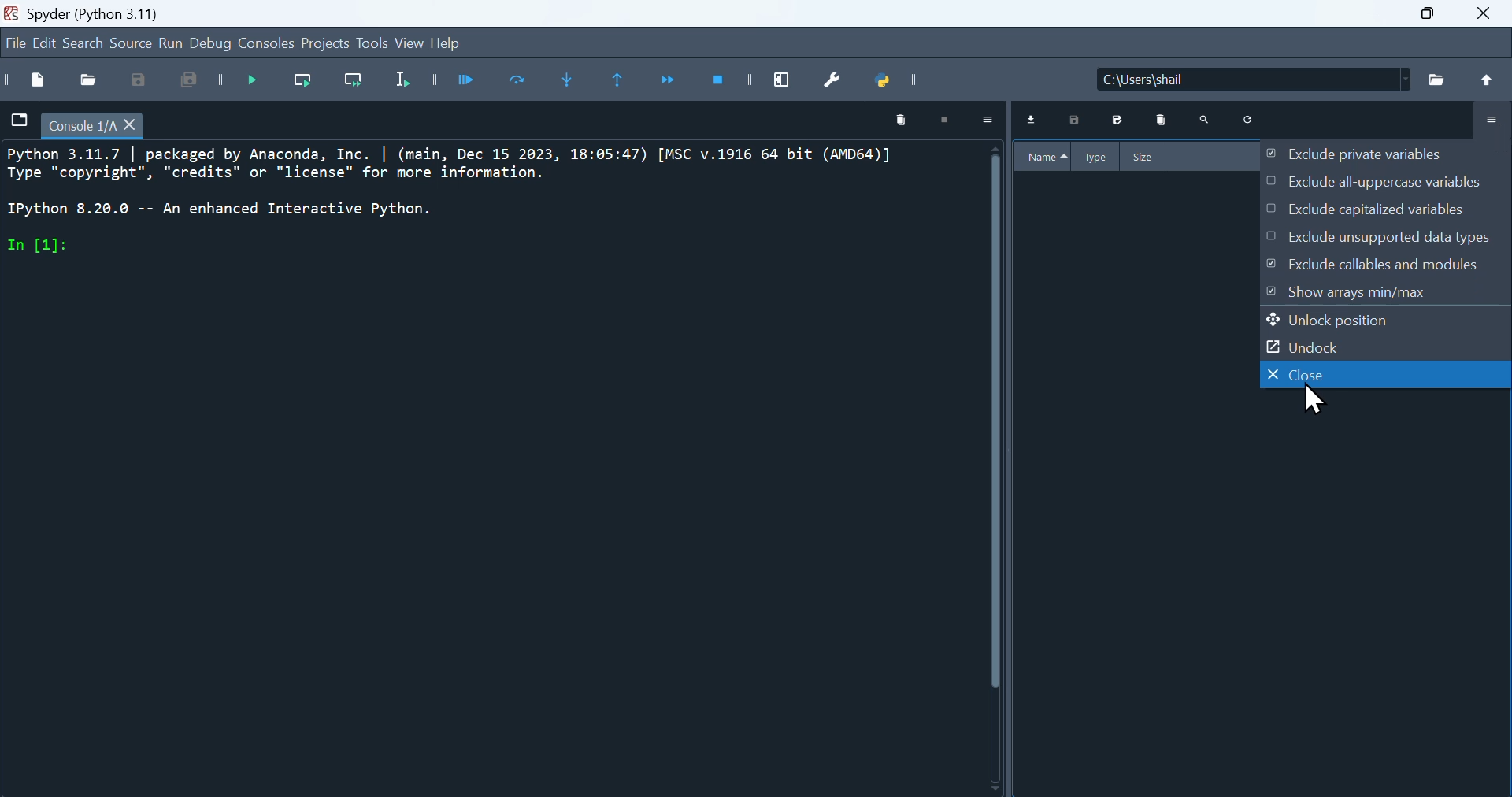 The height and width of the screenshot is (797, 1512). Describe the element at coordinates (1373, 269) in the screenshot. I see `` at that location.